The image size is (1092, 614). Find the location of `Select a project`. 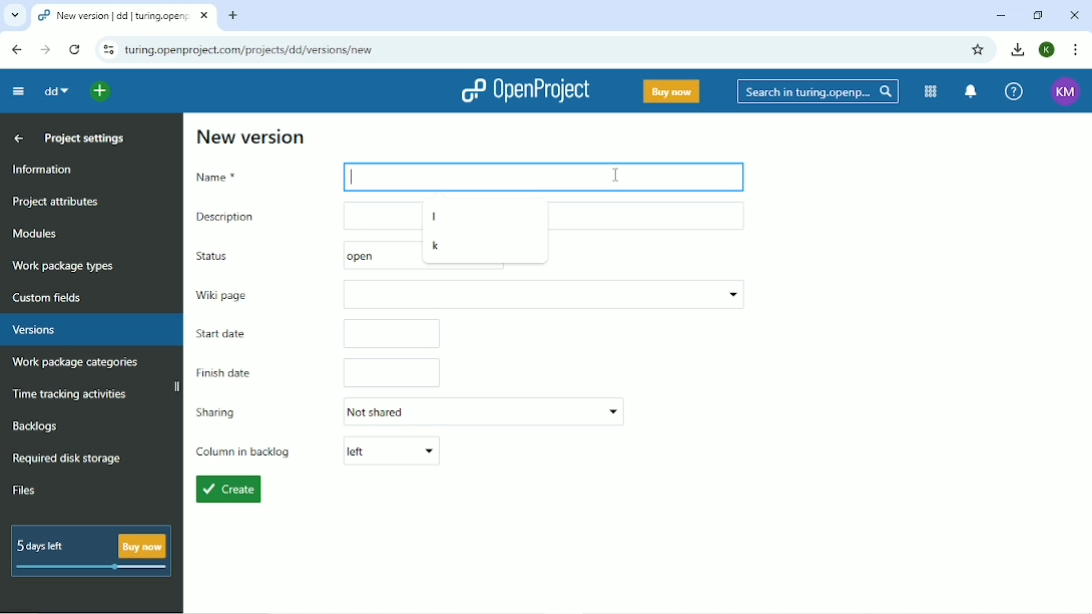

Select a project is located at coordinates (99, 92).